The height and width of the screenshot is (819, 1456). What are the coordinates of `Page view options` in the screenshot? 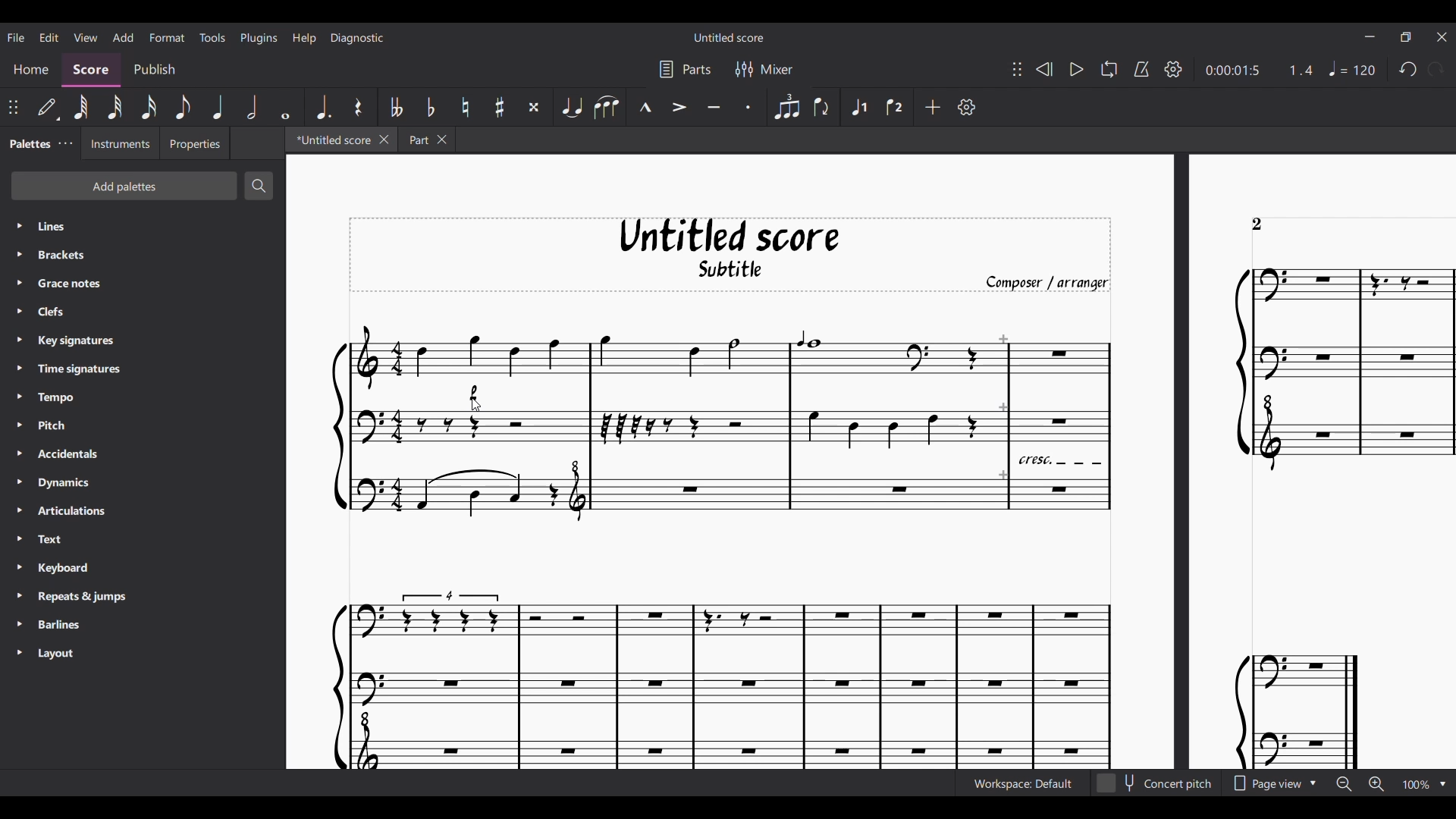 It's located at (1272, 783).